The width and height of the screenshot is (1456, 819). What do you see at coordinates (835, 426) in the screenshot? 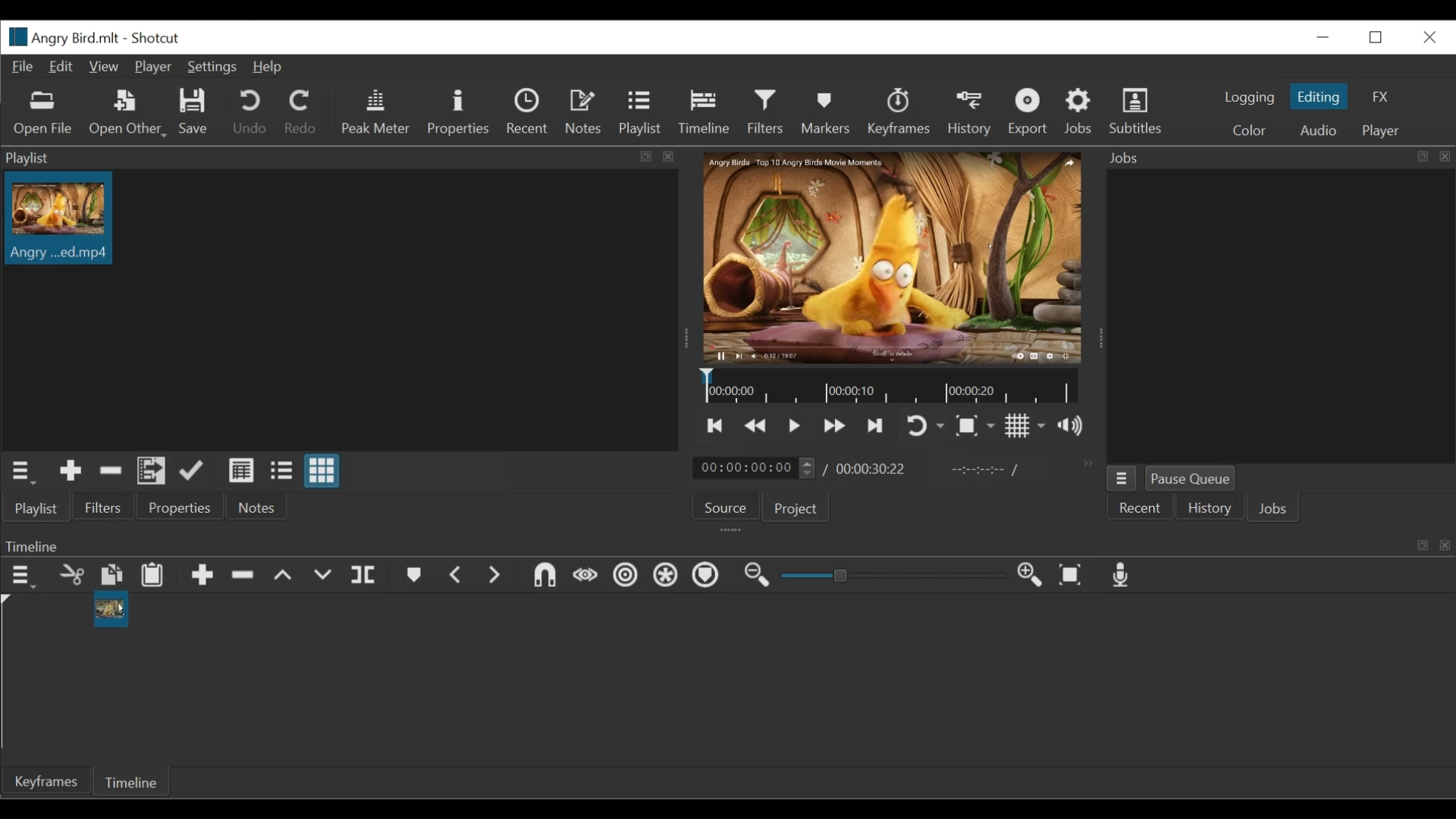
I see `Play quickly forward` at bounding box center [835, 426].